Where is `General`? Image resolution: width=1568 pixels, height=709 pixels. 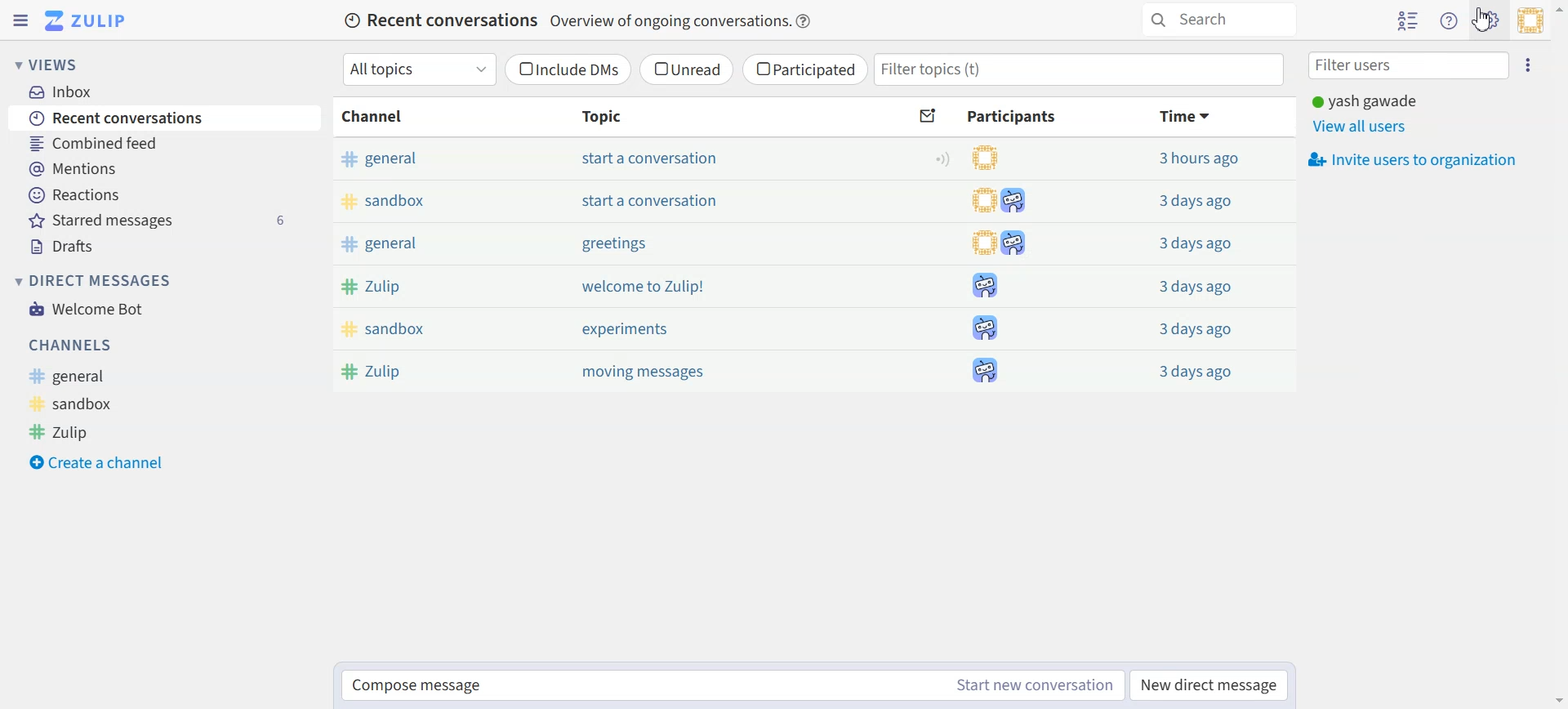 General is located at coordinates (69, 377).